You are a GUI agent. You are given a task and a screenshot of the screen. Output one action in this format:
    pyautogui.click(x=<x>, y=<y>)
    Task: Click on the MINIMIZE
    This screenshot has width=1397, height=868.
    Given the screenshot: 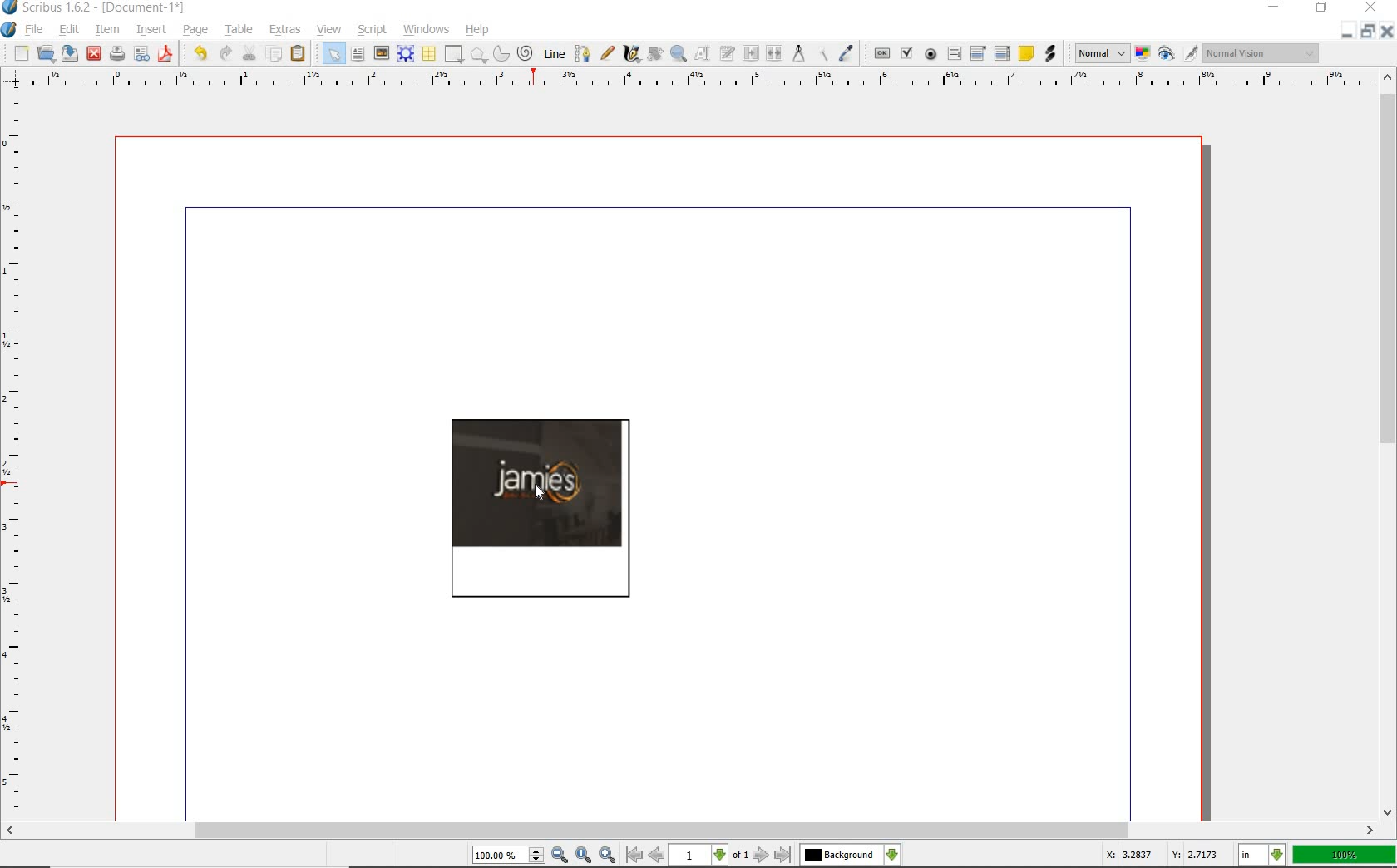 What is the action you would take?
    pyautogui.click(x=1273, y=7)
    